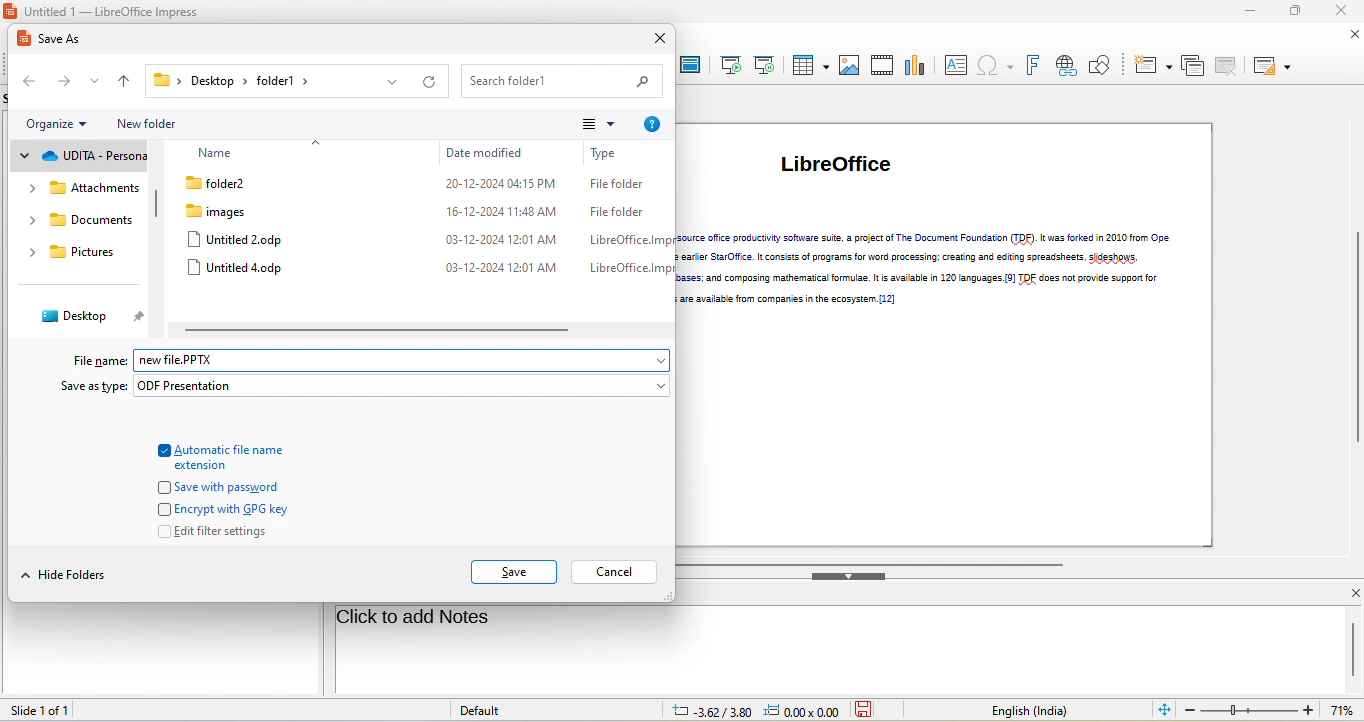 This screenshot has height=722, width=1364. Describe the element at coordinates (928, 256) in the screenshot. I see `i | nOffice.org, an open-sourced version of the earker StarOffice. It consists of programs for word processing: creating and editing spreadsheets. sideshows.` at that location.